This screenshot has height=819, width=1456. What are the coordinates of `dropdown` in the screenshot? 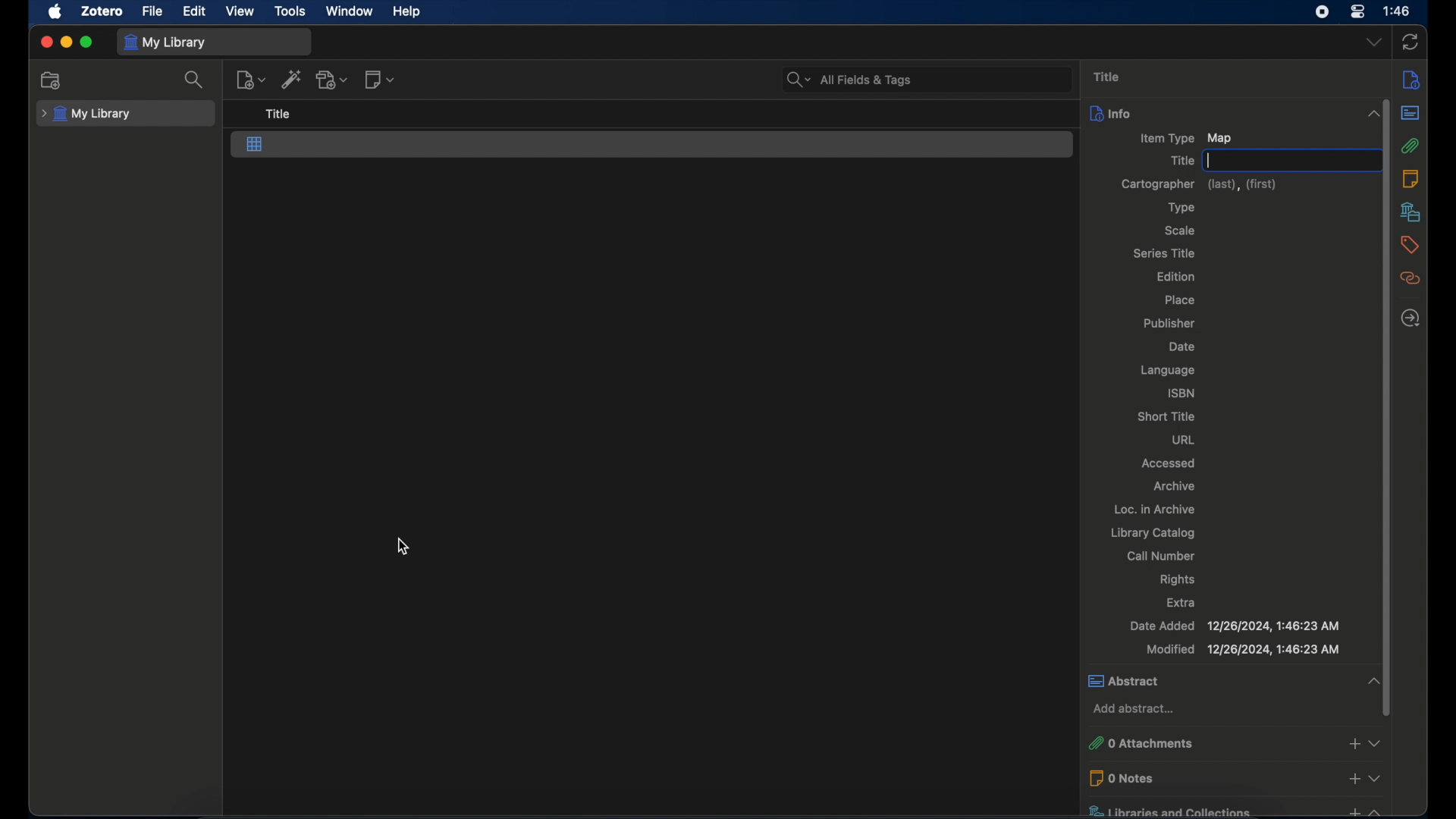 It's located at (1373, 42).